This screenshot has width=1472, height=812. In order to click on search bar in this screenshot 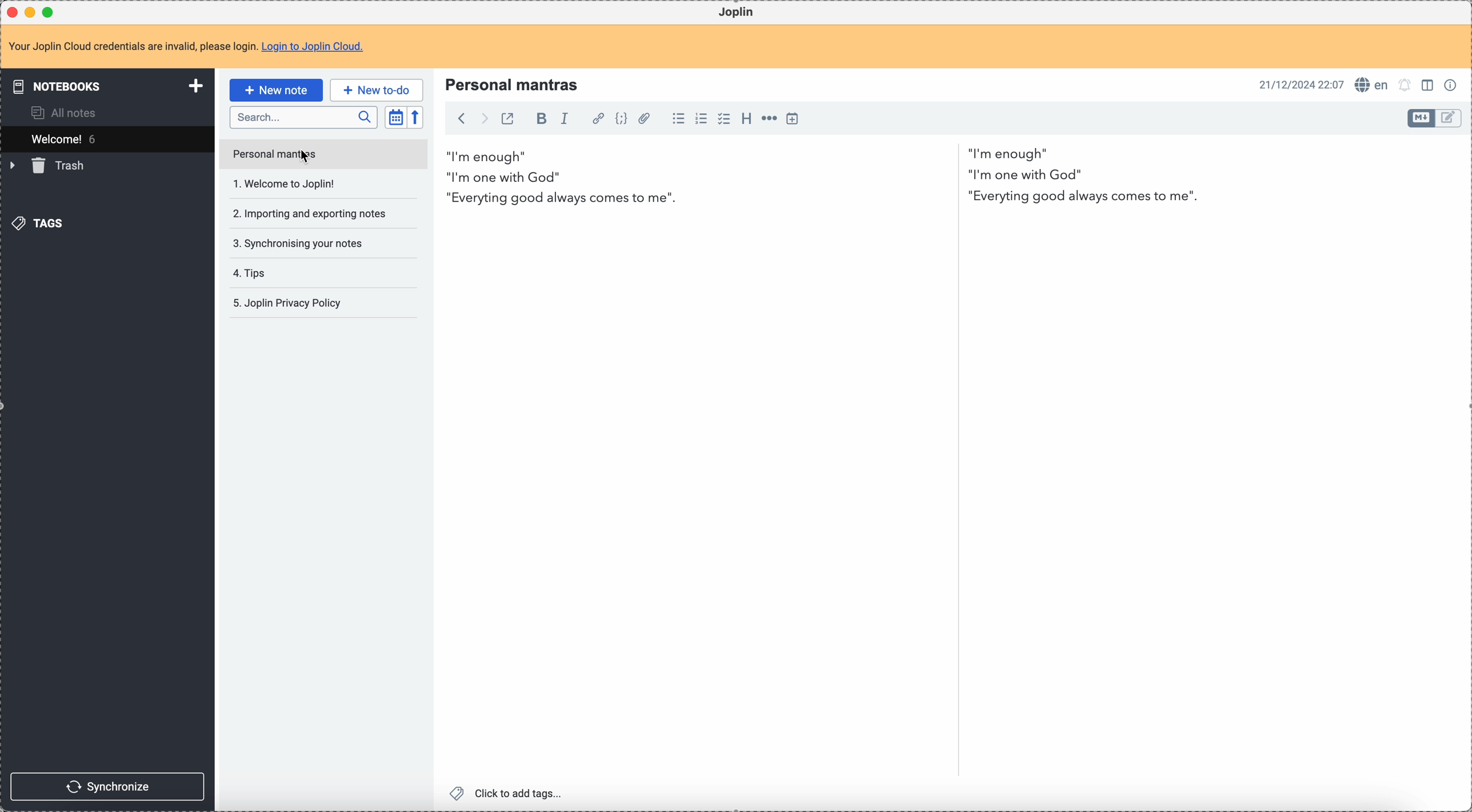, I will do `click(303, 117)`.